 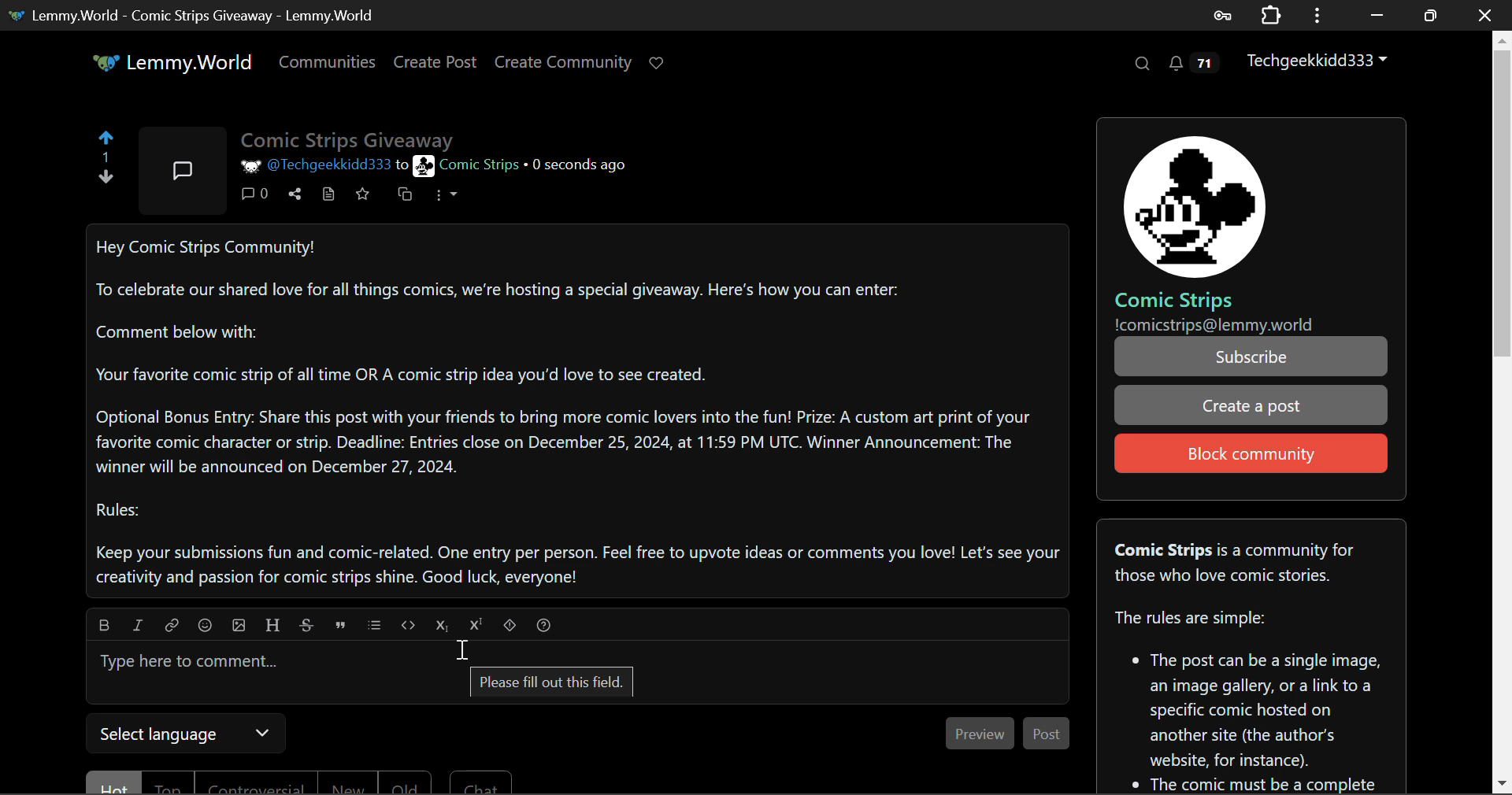 I want to click on Community PFP, so click(x=1197, y=208).